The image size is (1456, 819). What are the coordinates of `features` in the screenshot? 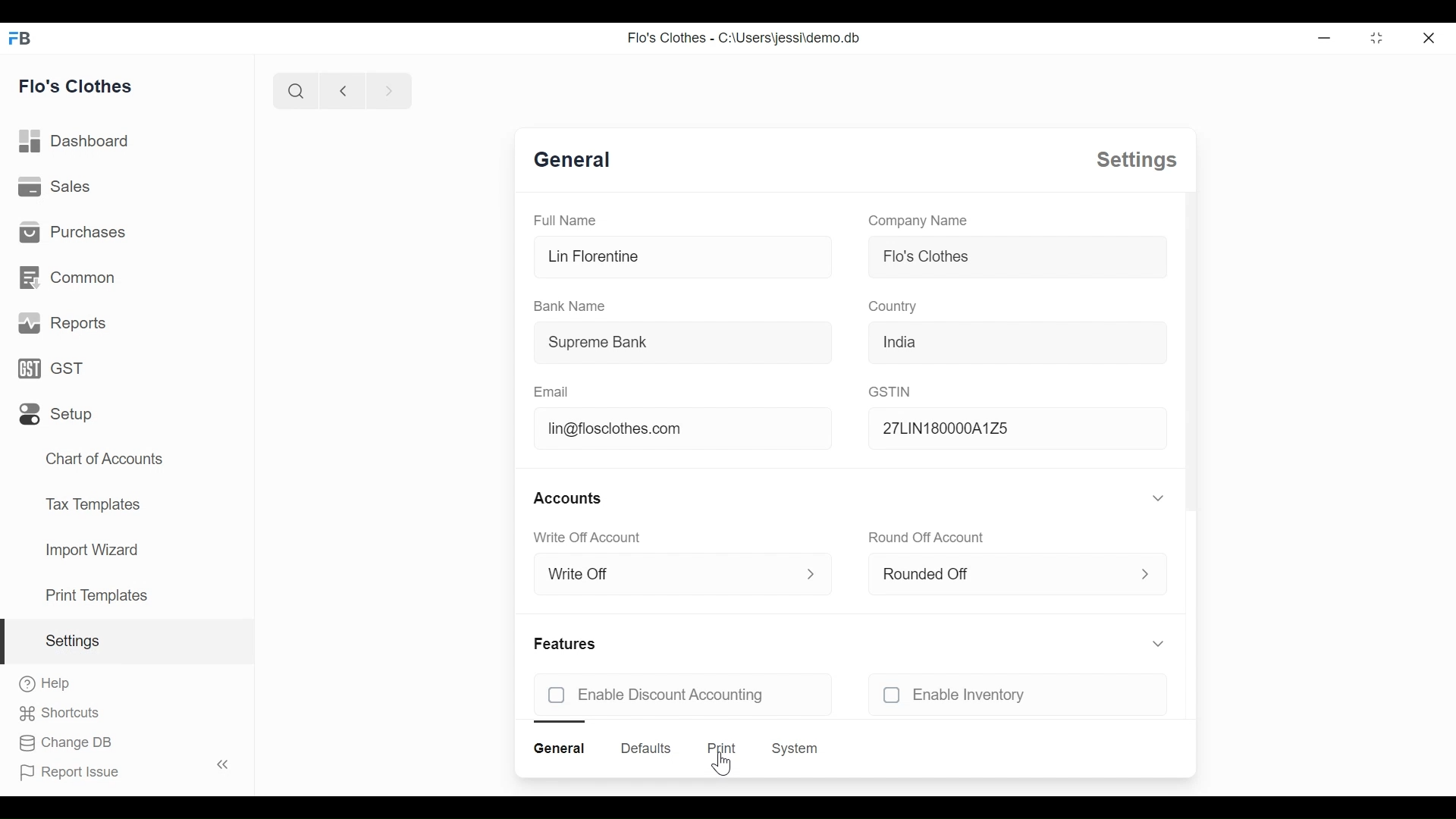 It's located at (564, 644).